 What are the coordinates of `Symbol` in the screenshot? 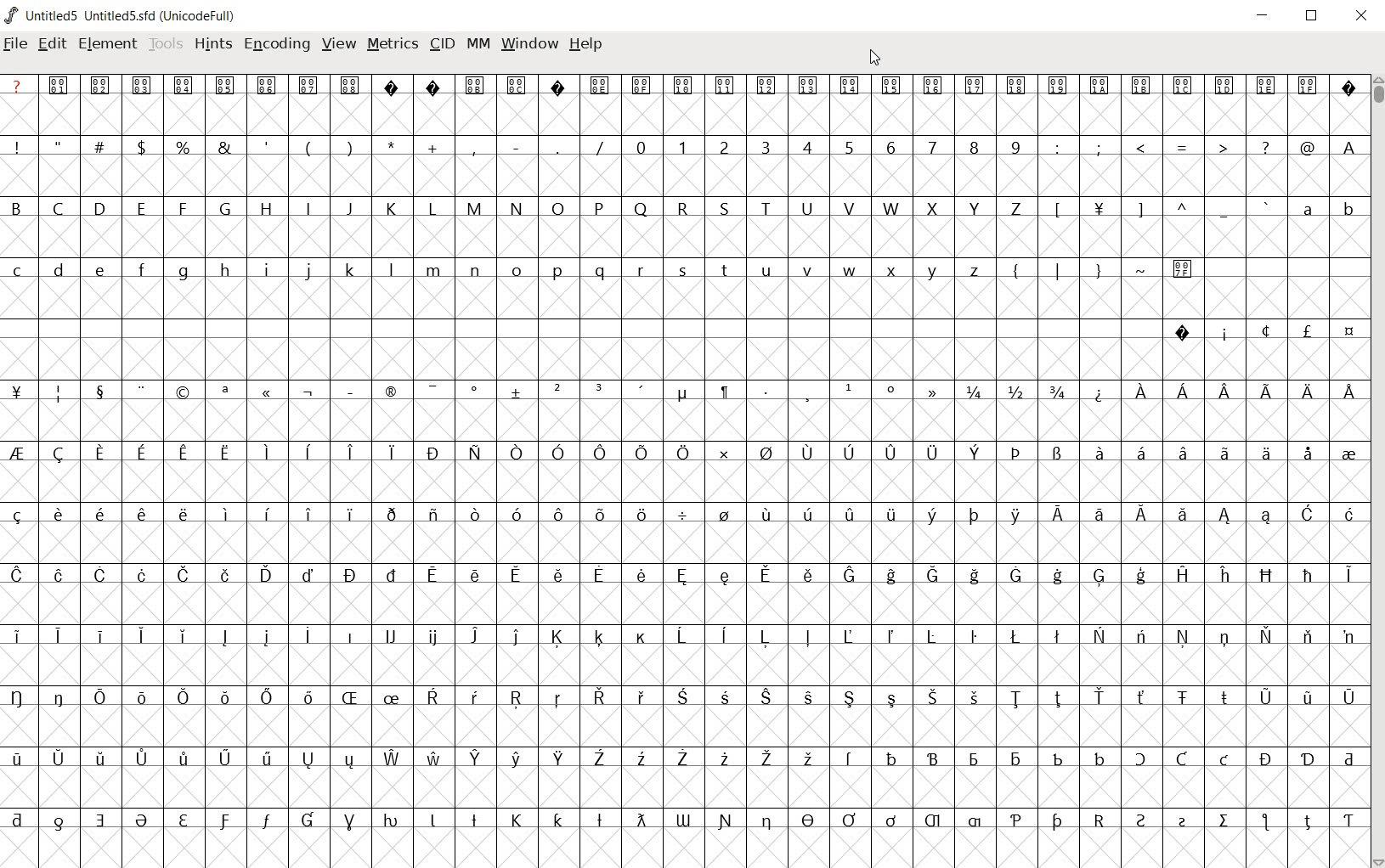 It's located at (1307, 334).